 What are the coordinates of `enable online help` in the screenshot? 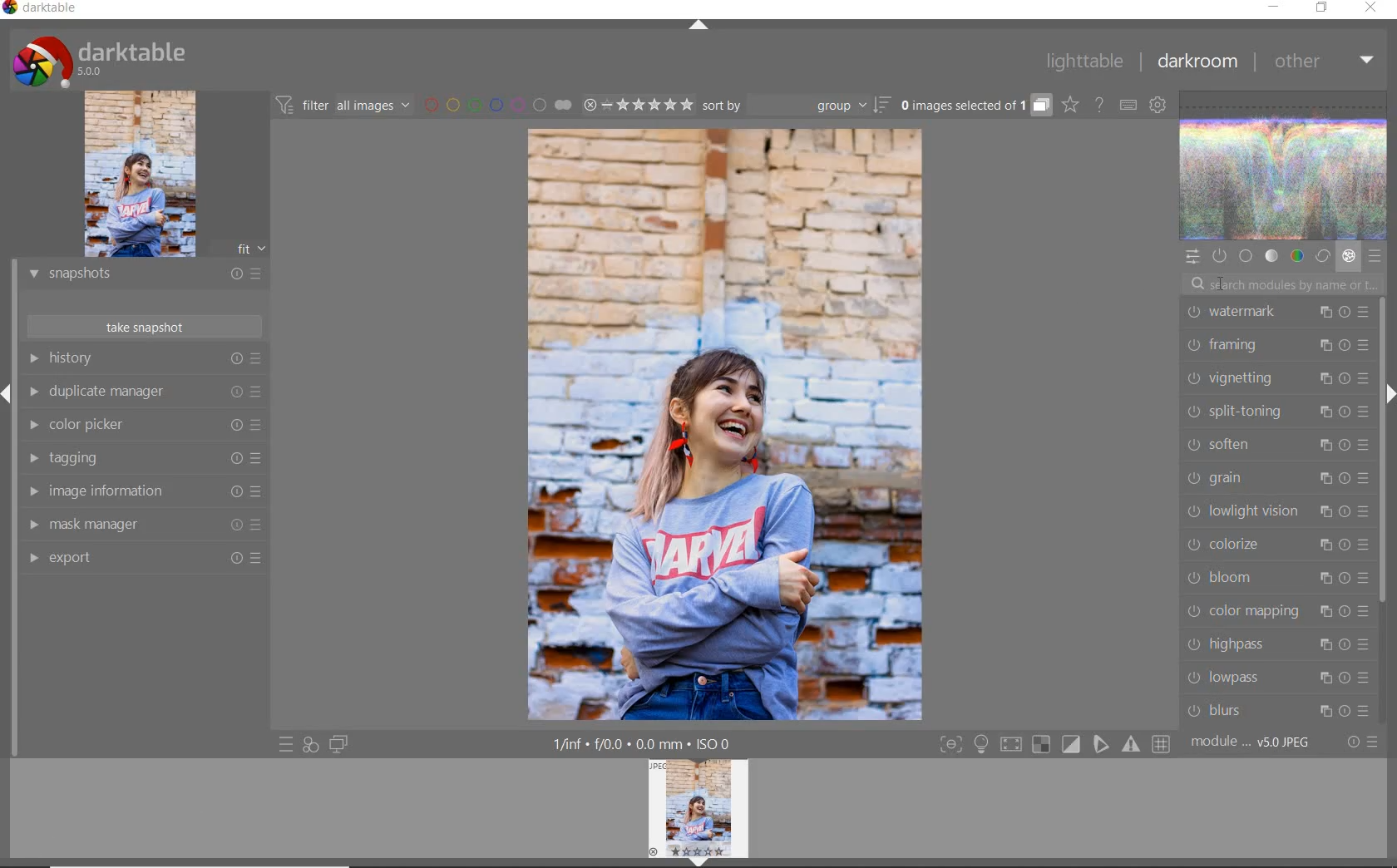 It's located at (1100, 104).